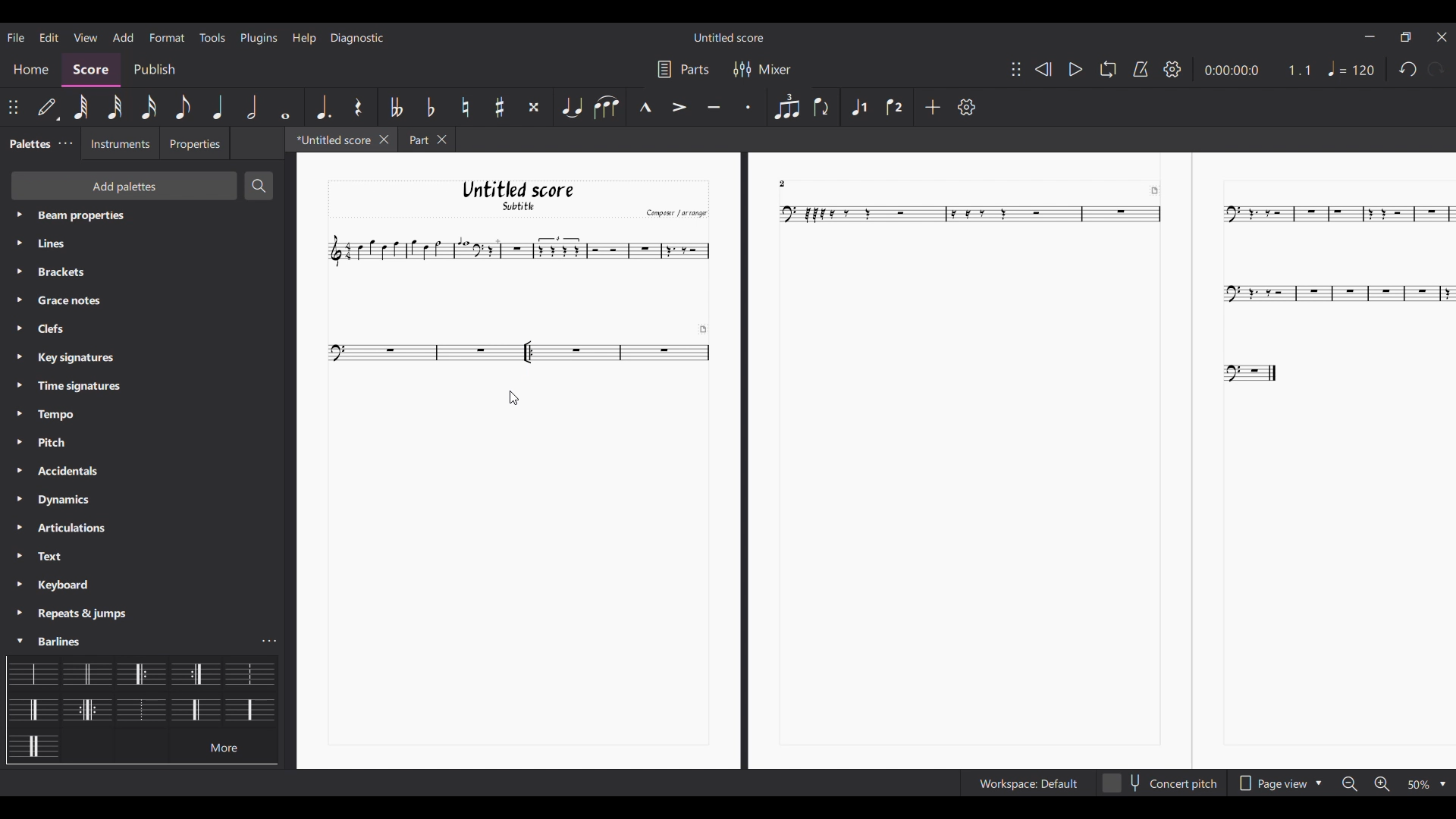 The height and width of the screenshot is (819, 1456). I want to click on Selected barline highlighted, so click(141, 674).